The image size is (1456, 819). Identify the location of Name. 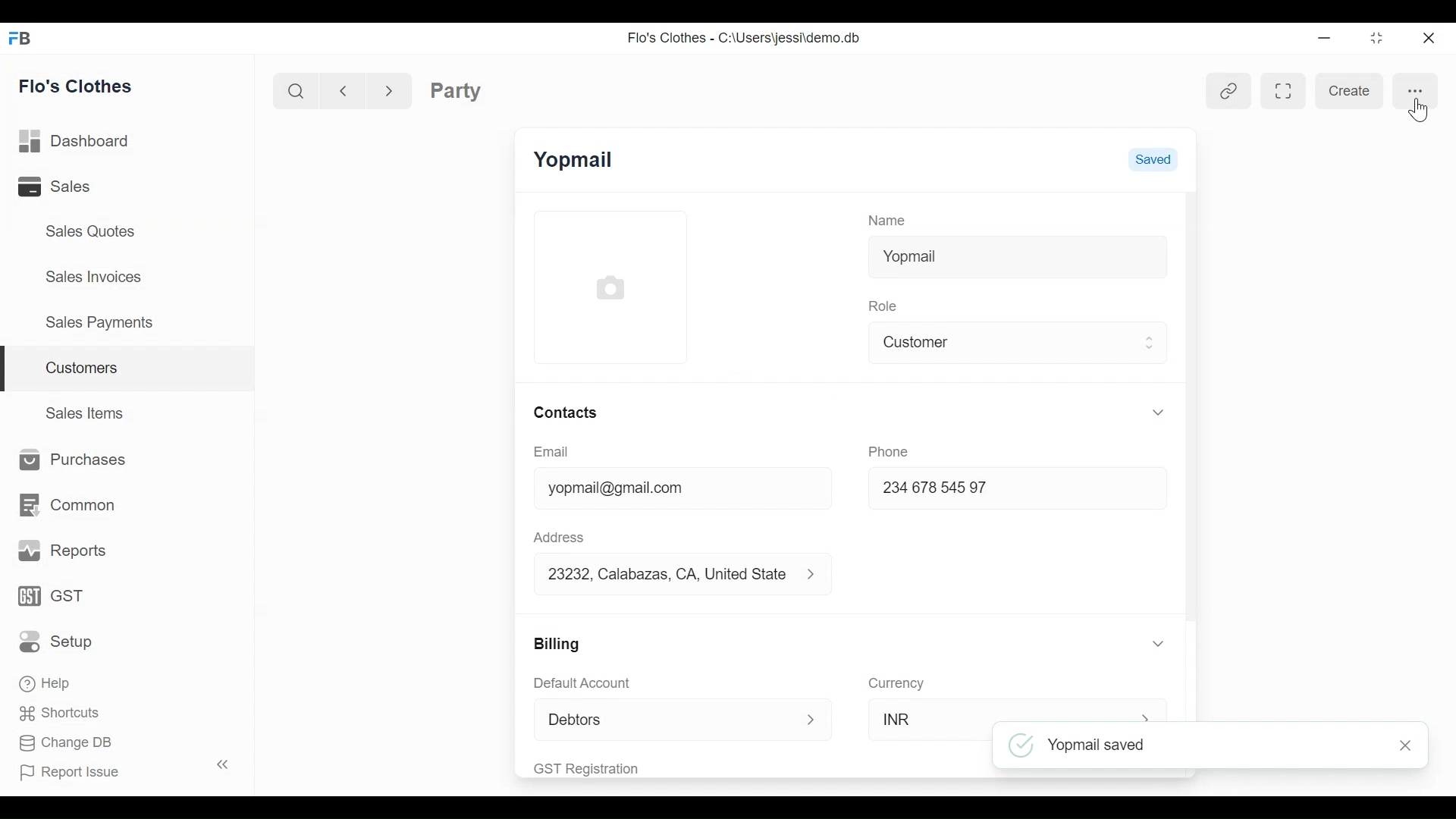
(889, 221).